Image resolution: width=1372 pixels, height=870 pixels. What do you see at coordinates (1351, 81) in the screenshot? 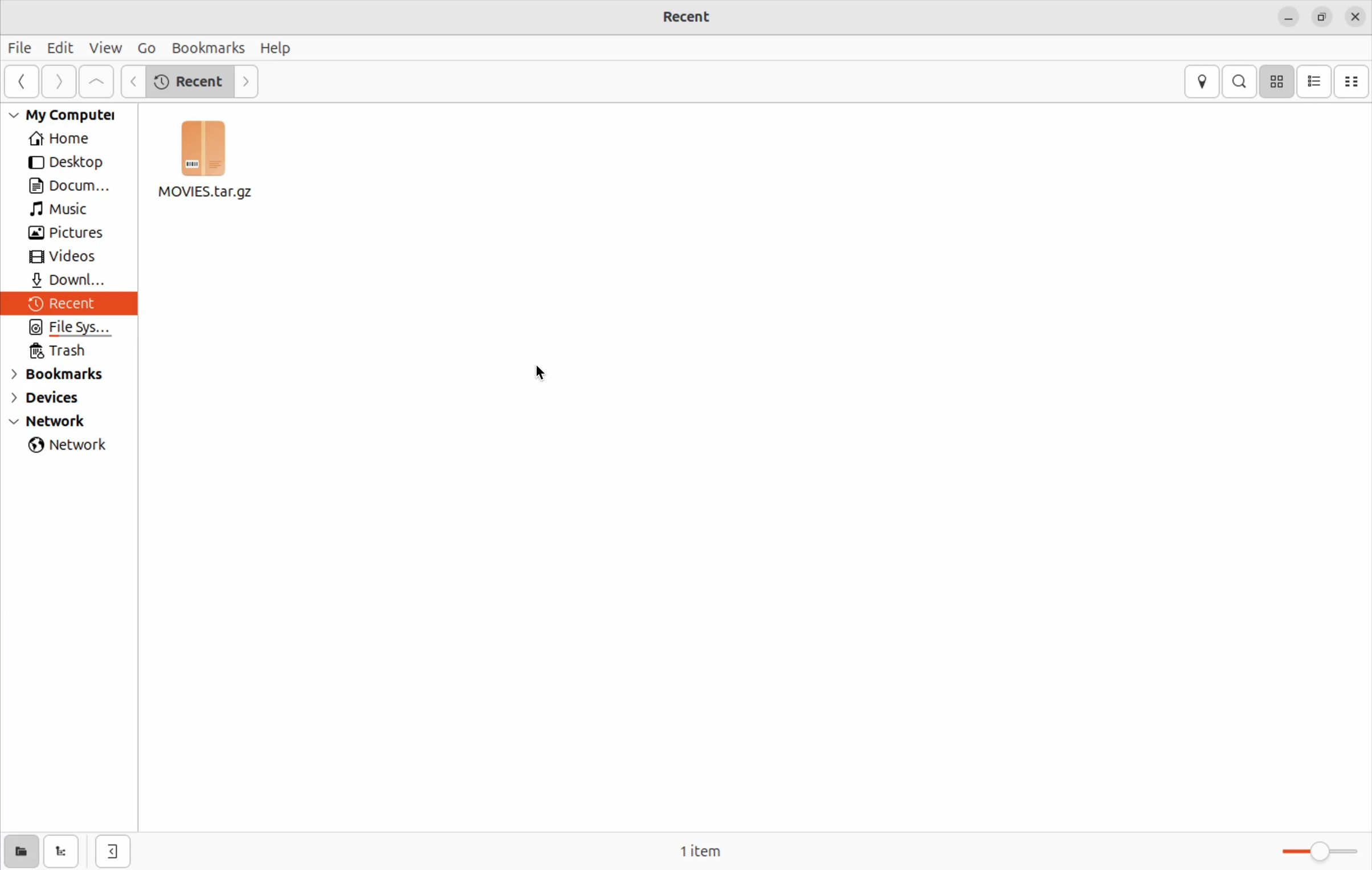
I see `compact view` at bounding box center [1351, 81].